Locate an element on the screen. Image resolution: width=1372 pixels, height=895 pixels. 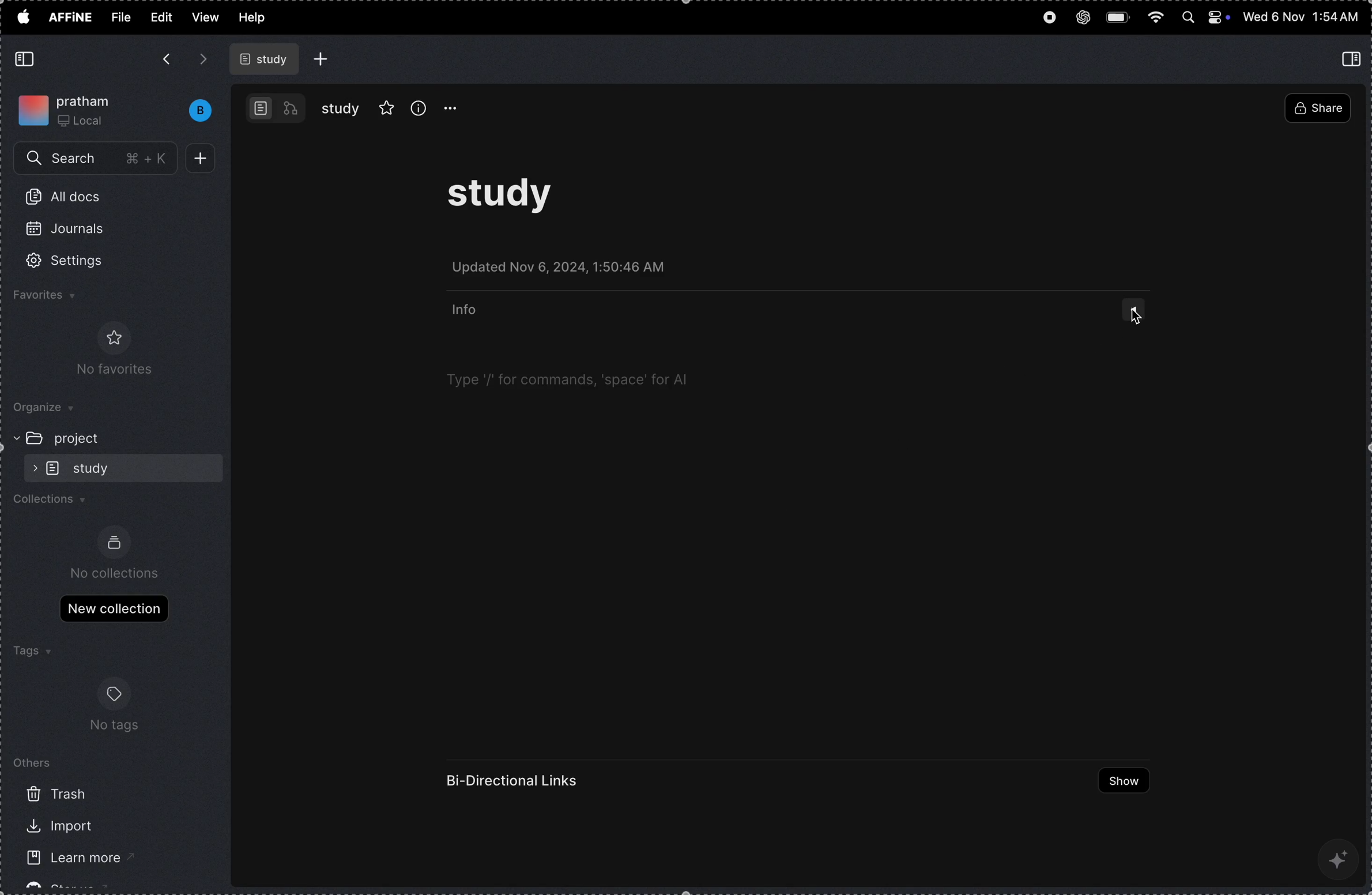
updated is located at coordinates (569, 270).